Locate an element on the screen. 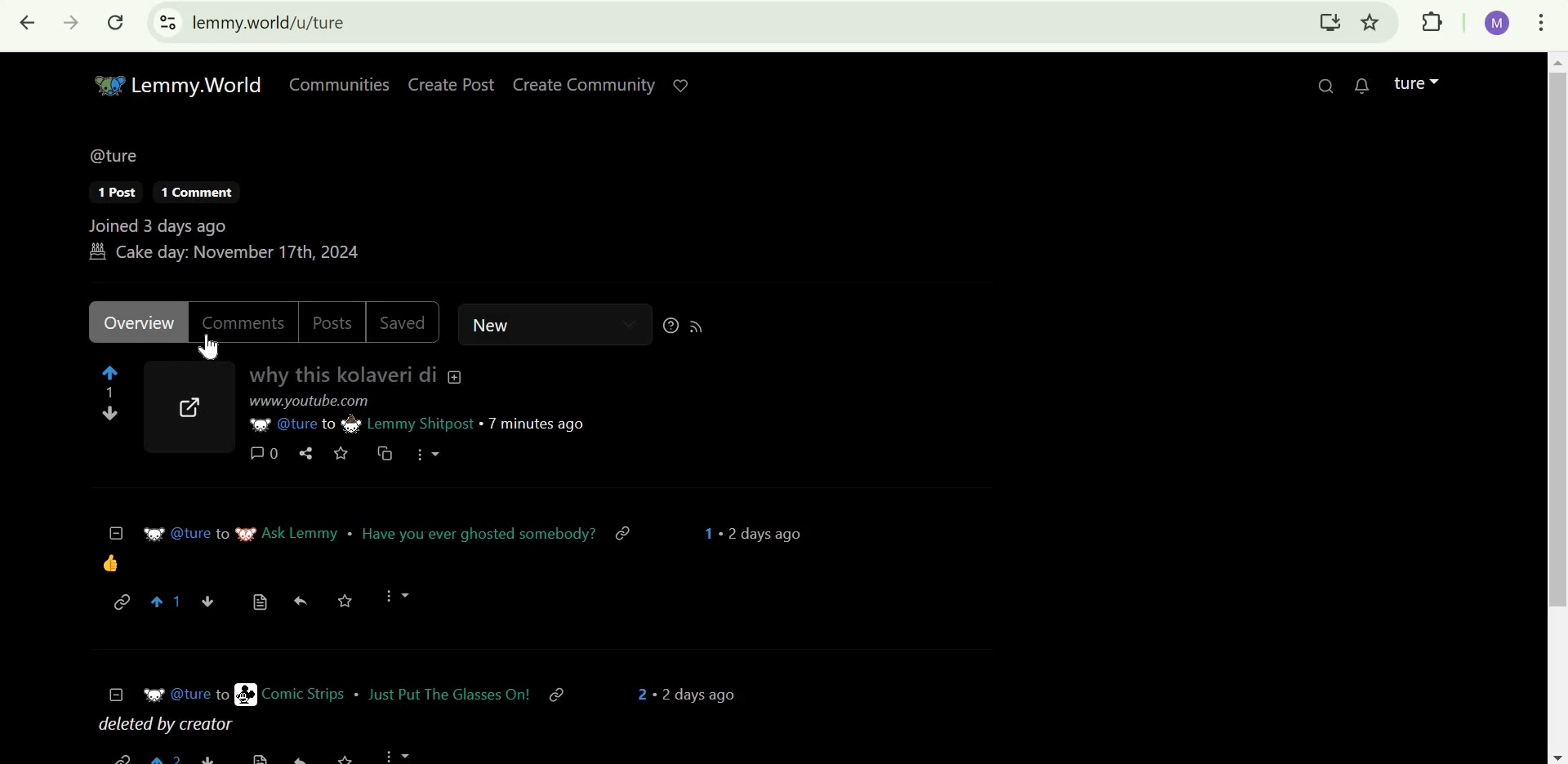  posts is located at coordinates (329, 321).